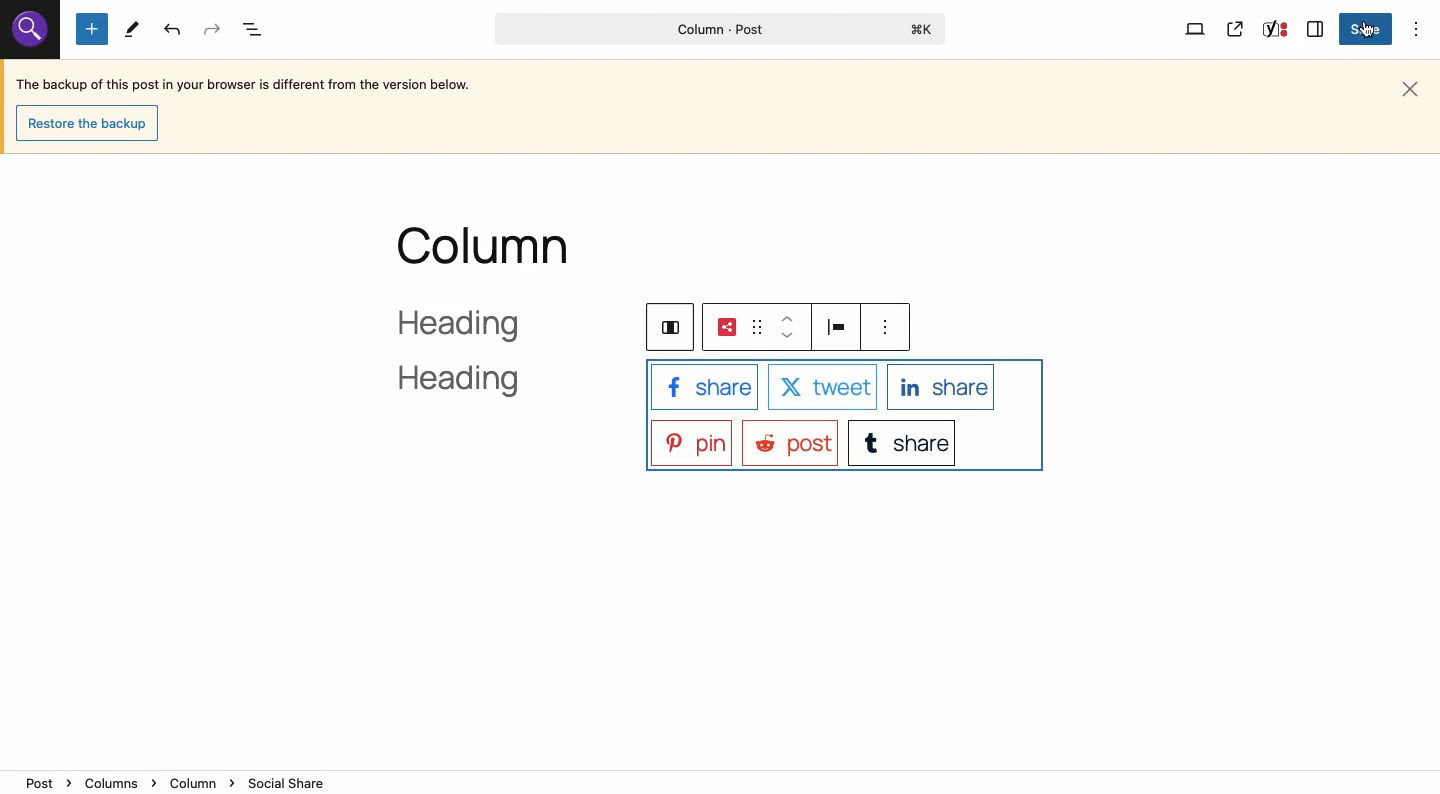 The height and width of the screenshot is (794, 1440). I want to click on column, so click(486, 246).